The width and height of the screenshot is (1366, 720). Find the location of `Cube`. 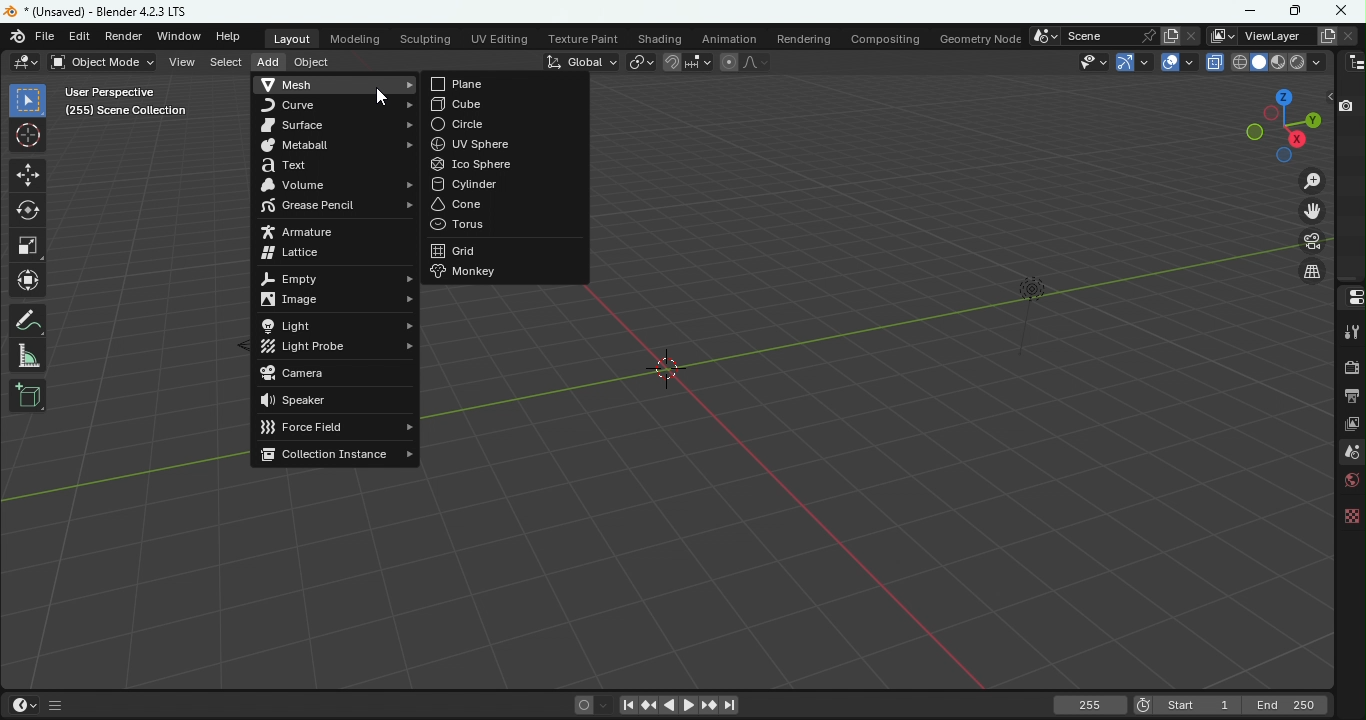

Cube is located at coordinates (506, 105).